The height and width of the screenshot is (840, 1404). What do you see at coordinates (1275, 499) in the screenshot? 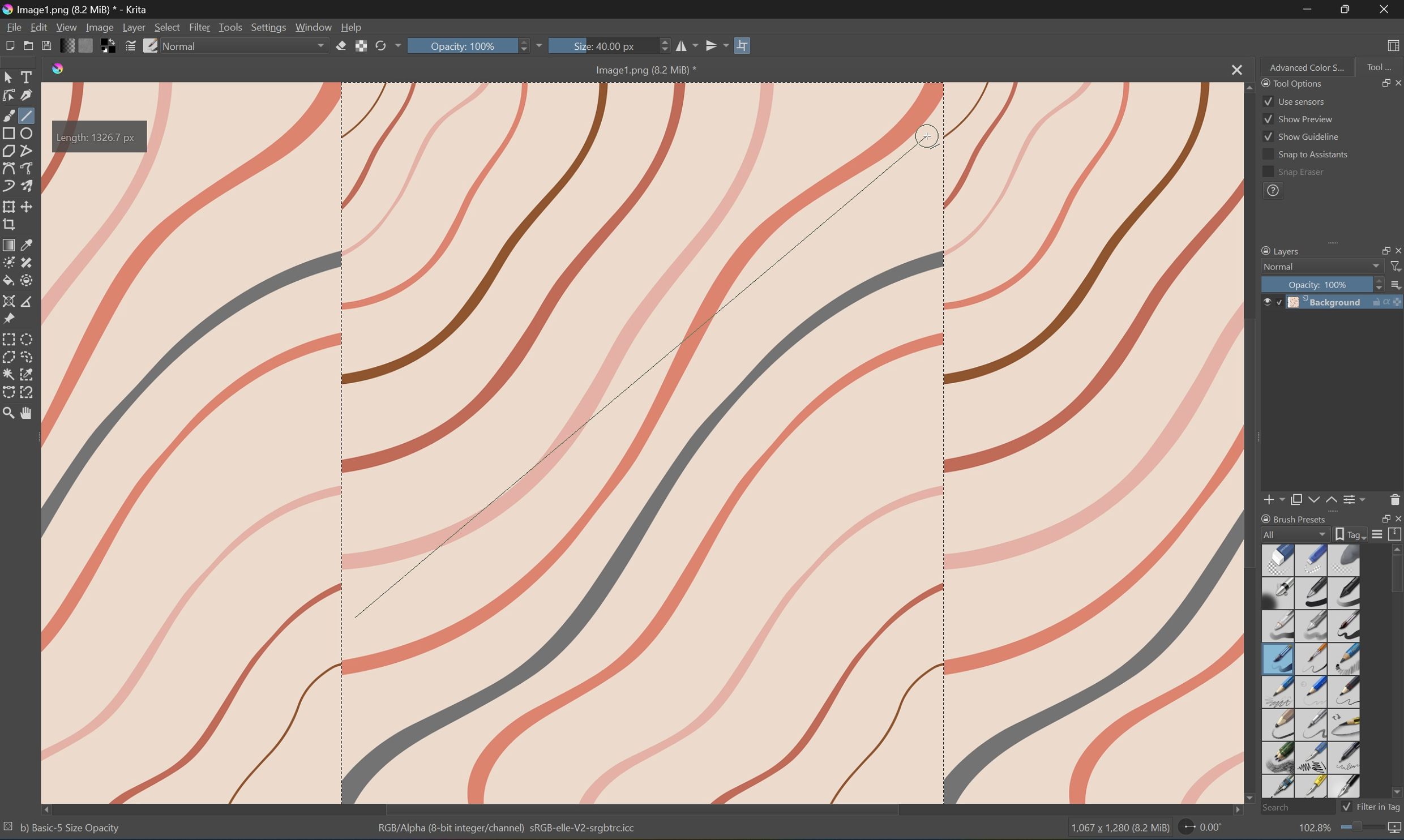
I see `Add new layer` at bounding box center [1275, 499].